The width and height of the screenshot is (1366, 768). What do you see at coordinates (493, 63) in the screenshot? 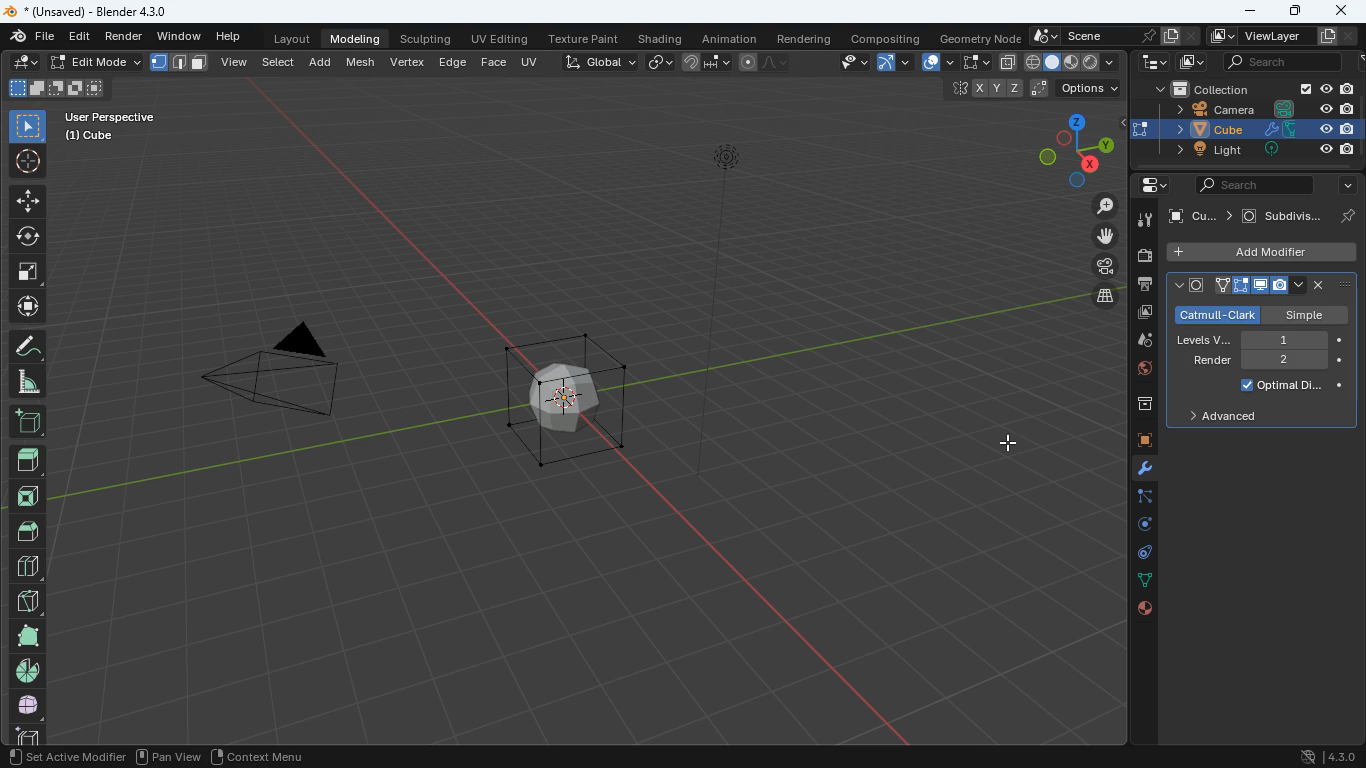
I see `face` at bounding box center [493, 63].